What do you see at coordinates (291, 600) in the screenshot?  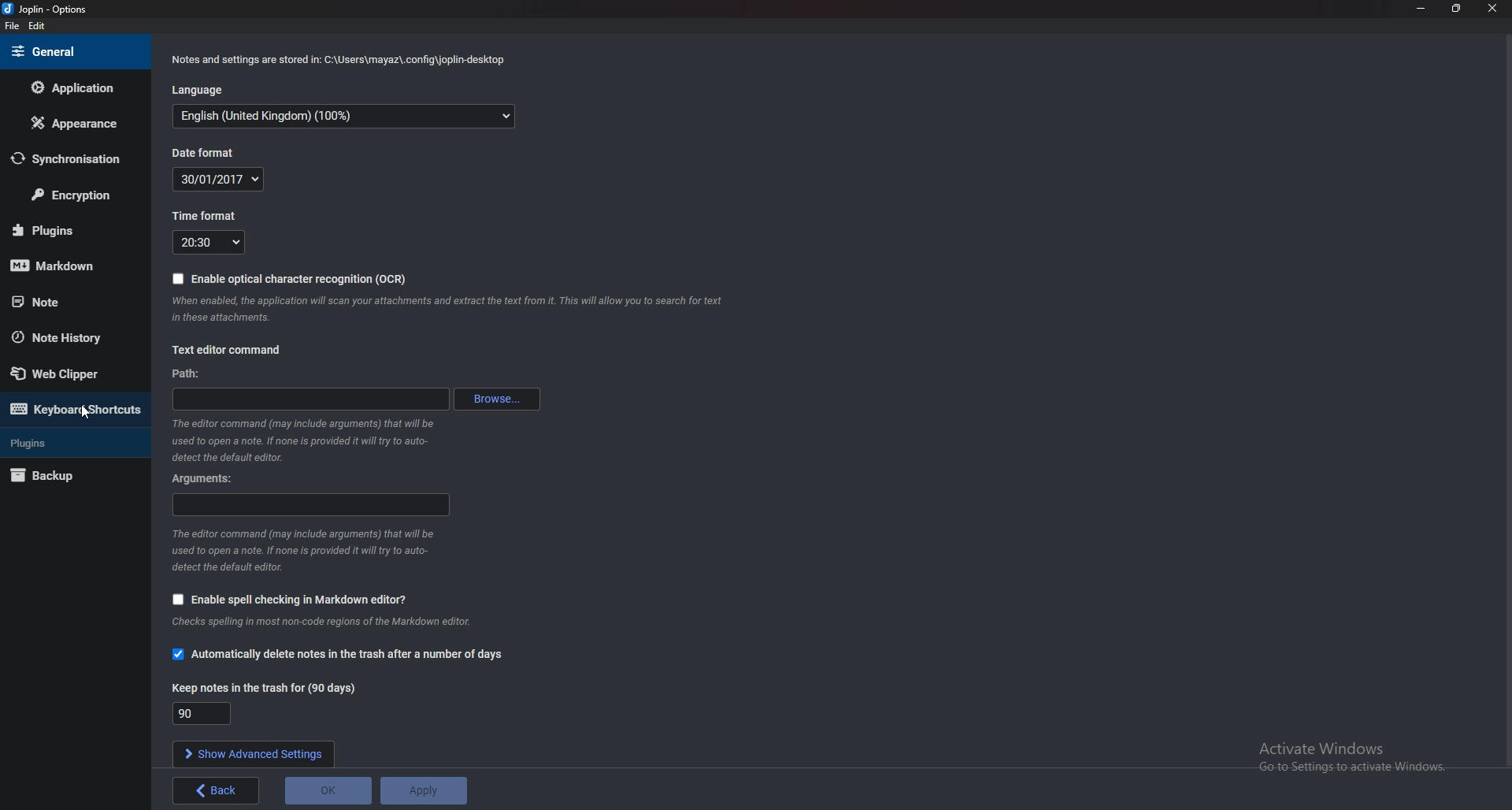 I see `Enable Spell Checking in markdown editor?` at bounding box center [291, 600].